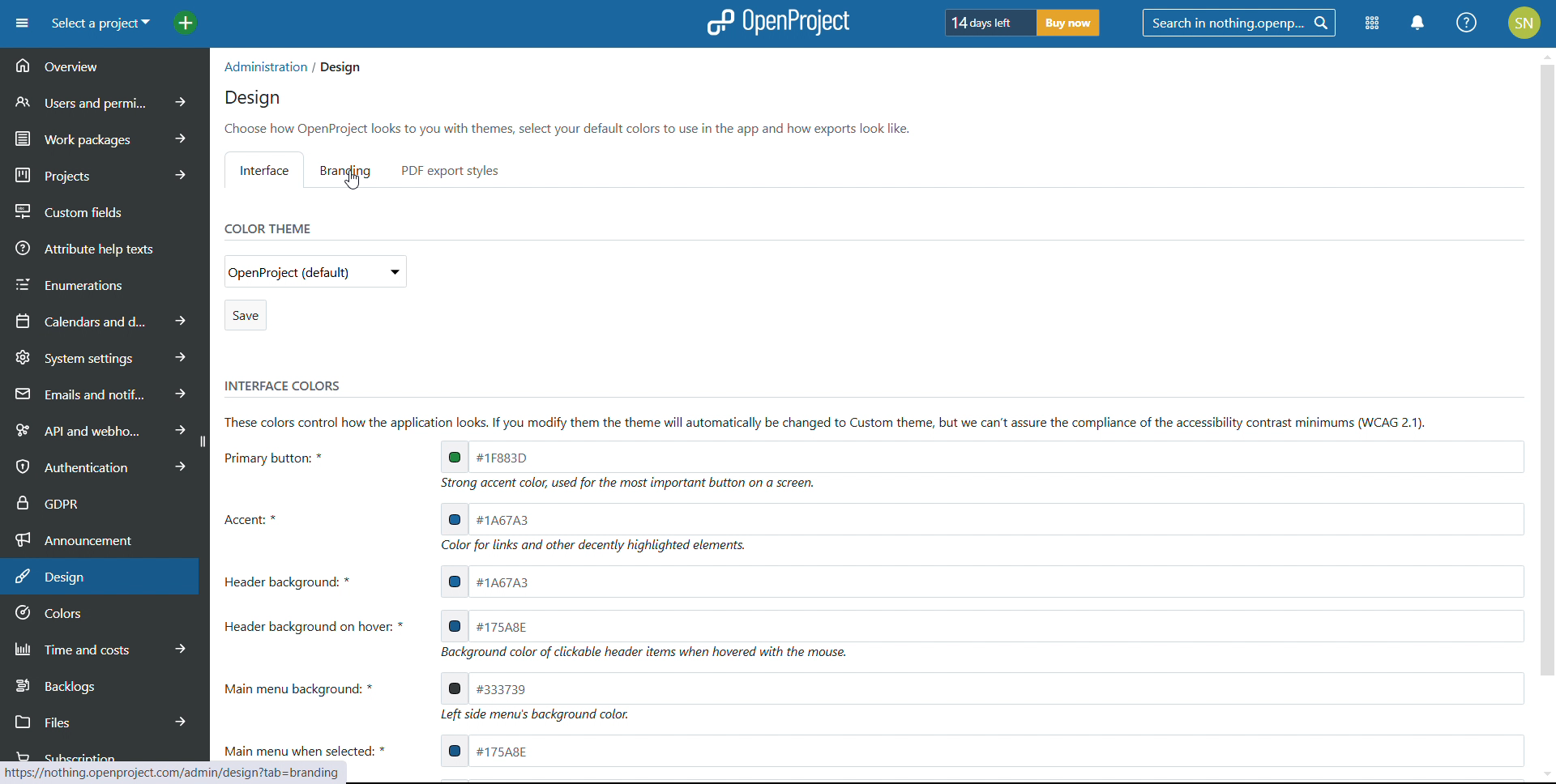 The width and height of the screenshot is (1556, 784). I want to click on colors, so click(104, 614).